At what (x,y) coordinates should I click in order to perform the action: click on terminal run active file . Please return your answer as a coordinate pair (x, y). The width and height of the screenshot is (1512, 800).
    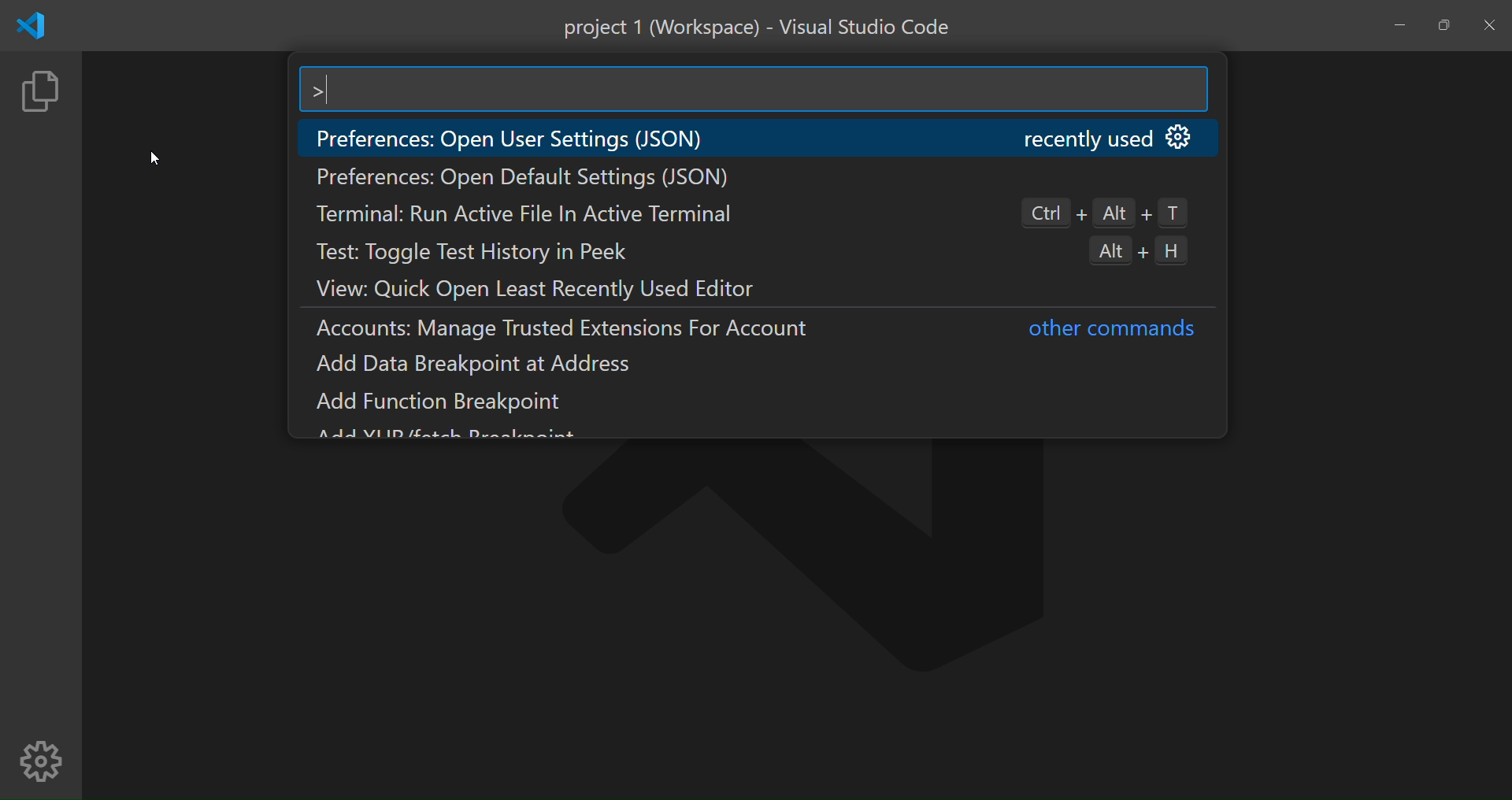
    Looking at the image, I should click on (531, 213).